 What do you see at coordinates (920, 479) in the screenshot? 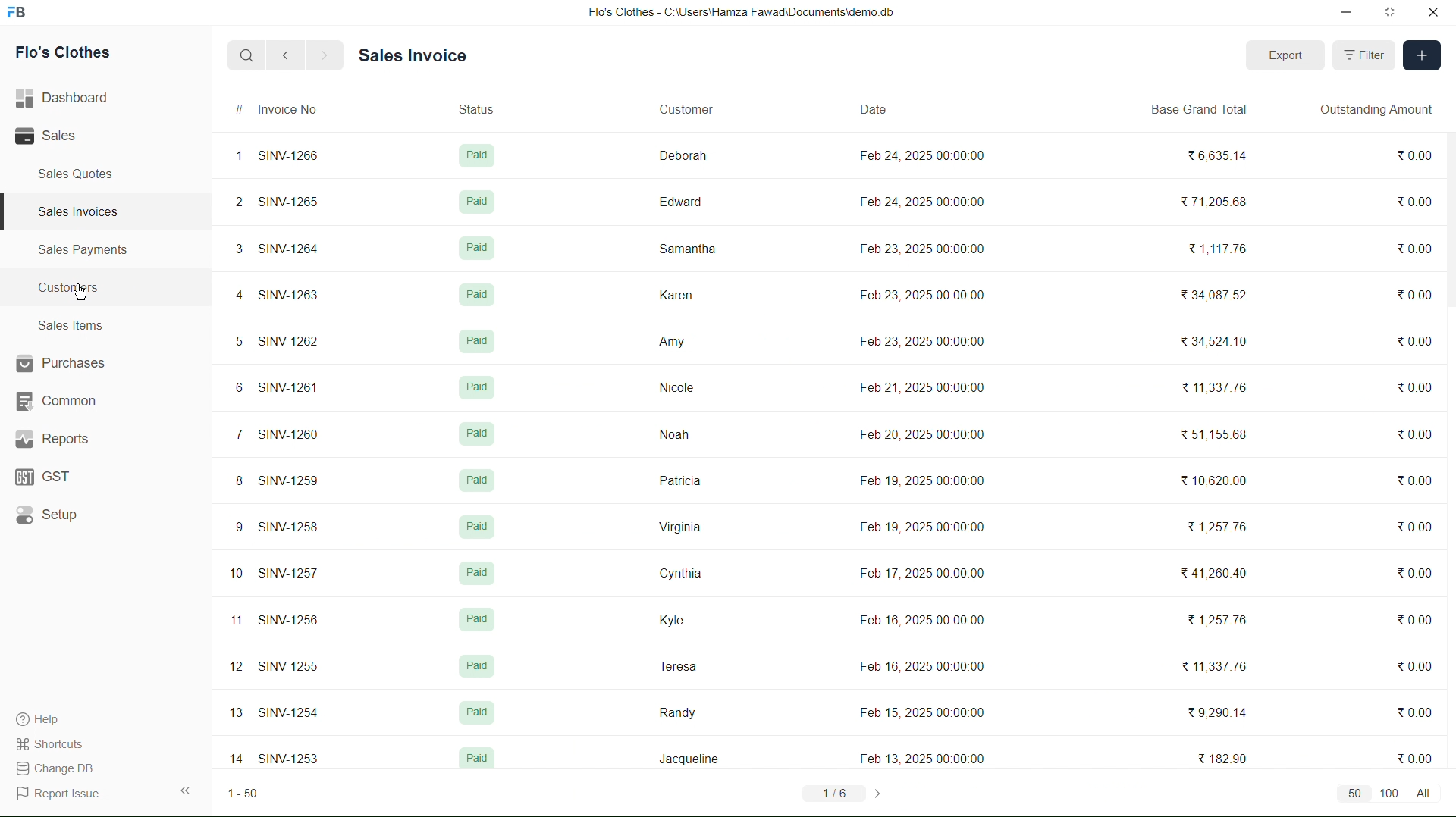
I see `Feb 19, 2025 00:00:00` at bounding box center [920, 479].